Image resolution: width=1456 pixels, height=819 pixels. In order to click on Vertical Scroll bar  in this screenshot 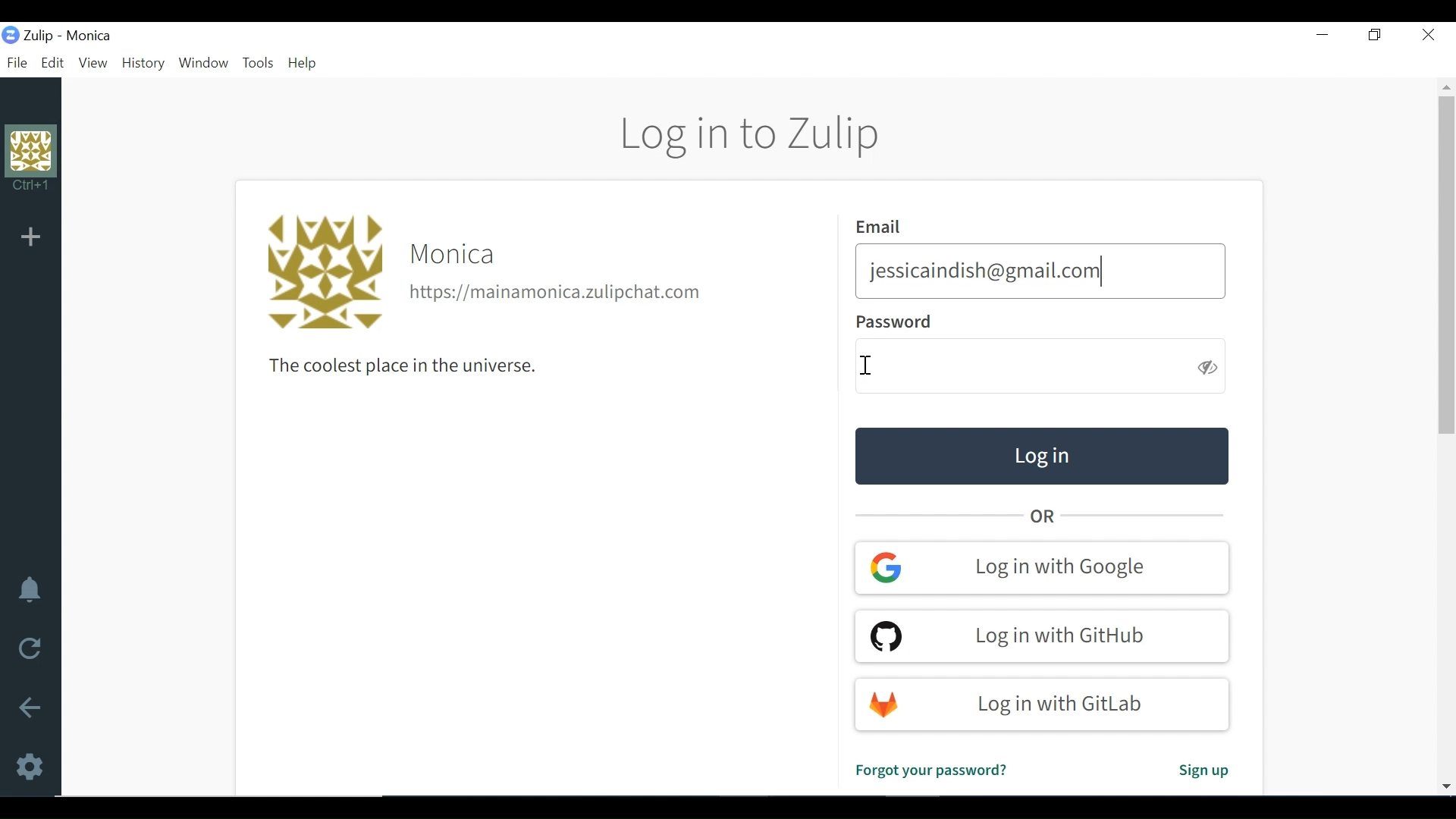, I will do `click(1447, 265)`.